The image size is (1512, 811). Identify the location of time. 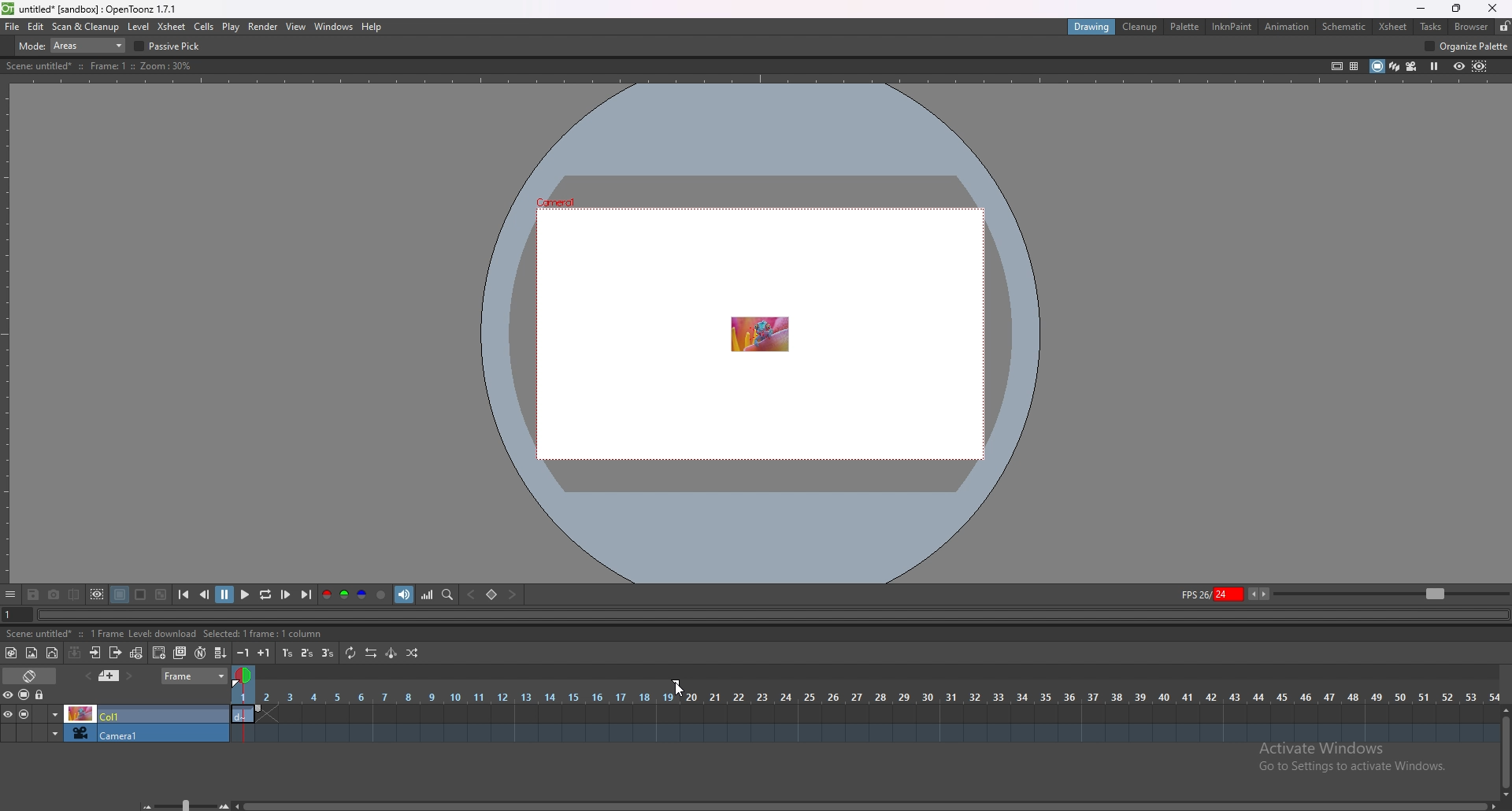
(865, 696).